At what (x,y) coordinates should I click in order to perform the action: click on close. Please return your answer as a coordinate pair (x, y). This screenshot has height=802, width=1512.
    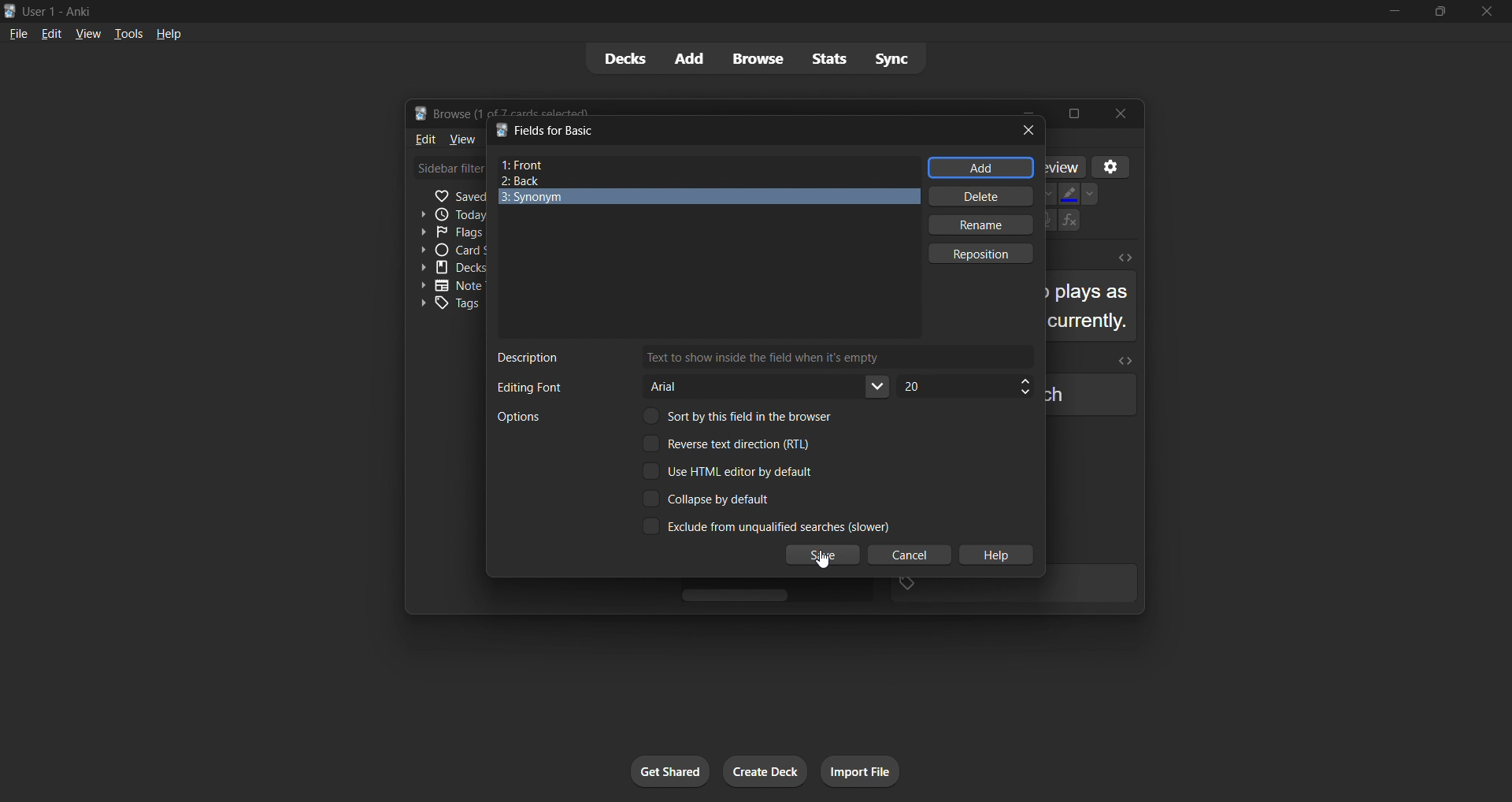
    Looking at the image, I should click on (1484, 12).